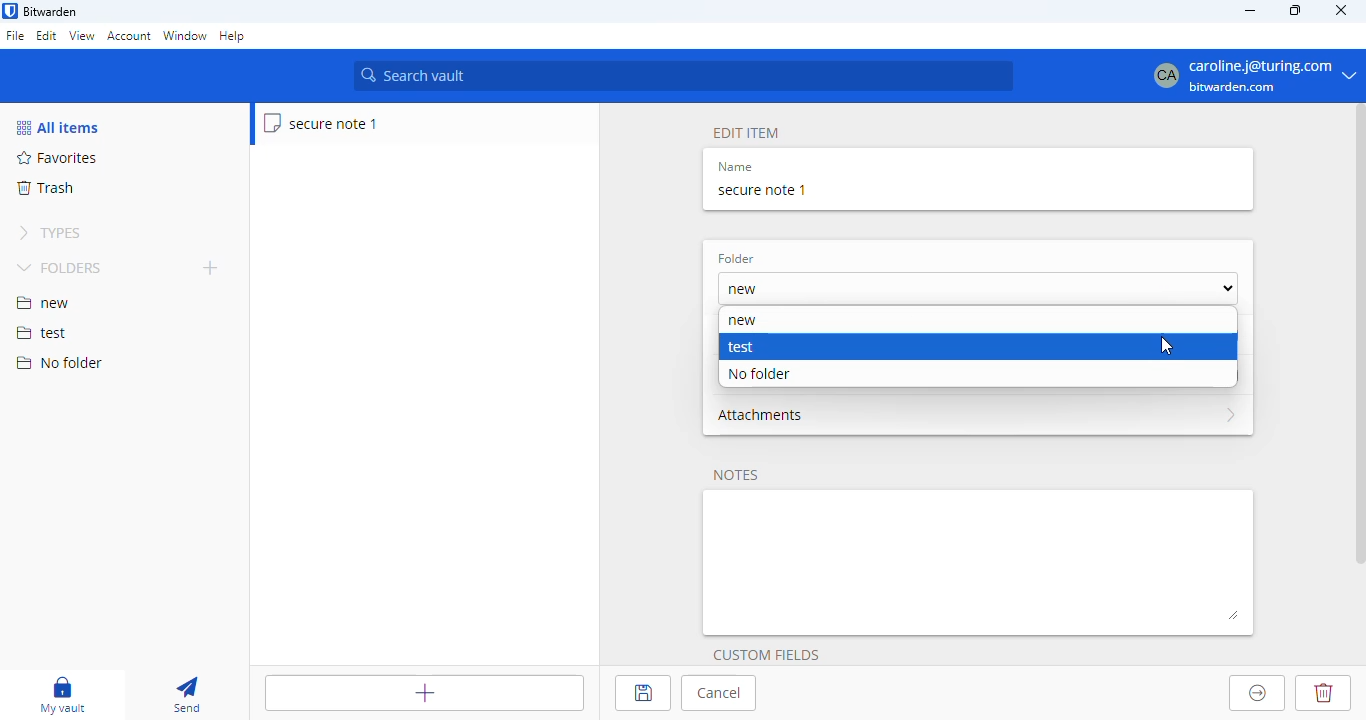 The width and height of the screenshot is (1366, 720). What do you see at coordinates (425, 693) in the screenshot?
I see `add item` at bounding box center [425, 693].